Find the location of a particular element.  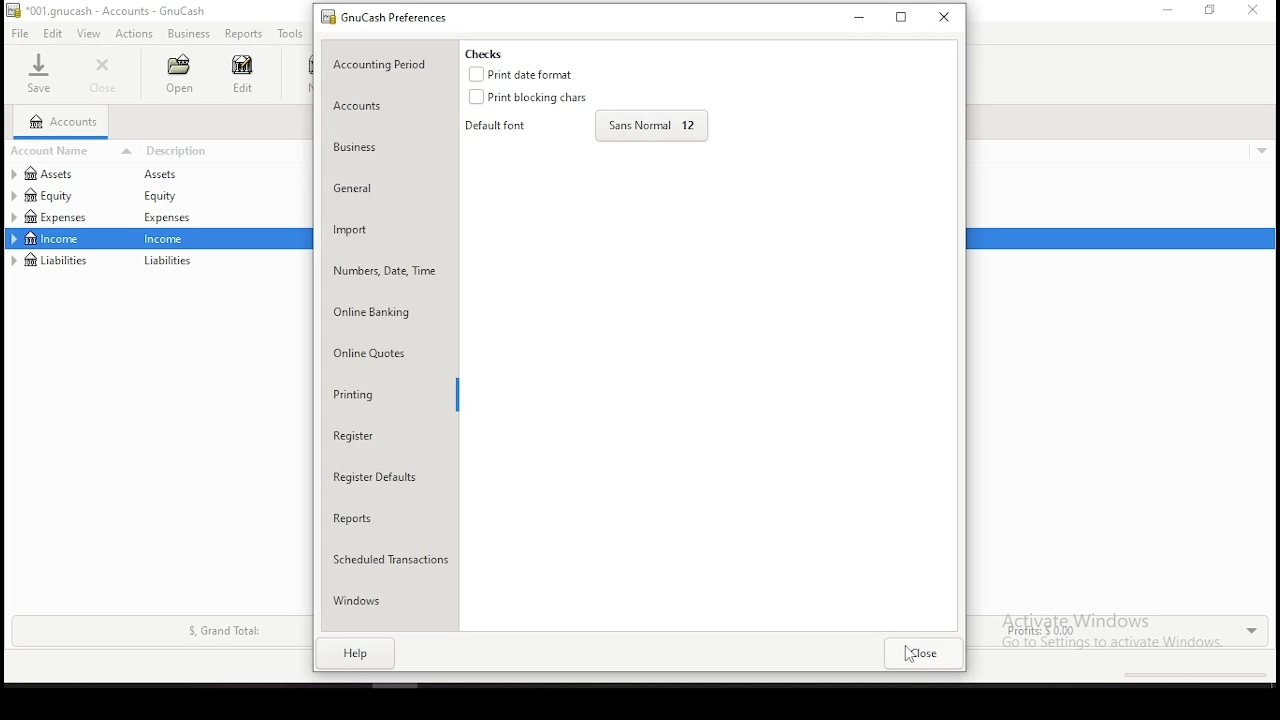

close is located at coordinates (924, 654).